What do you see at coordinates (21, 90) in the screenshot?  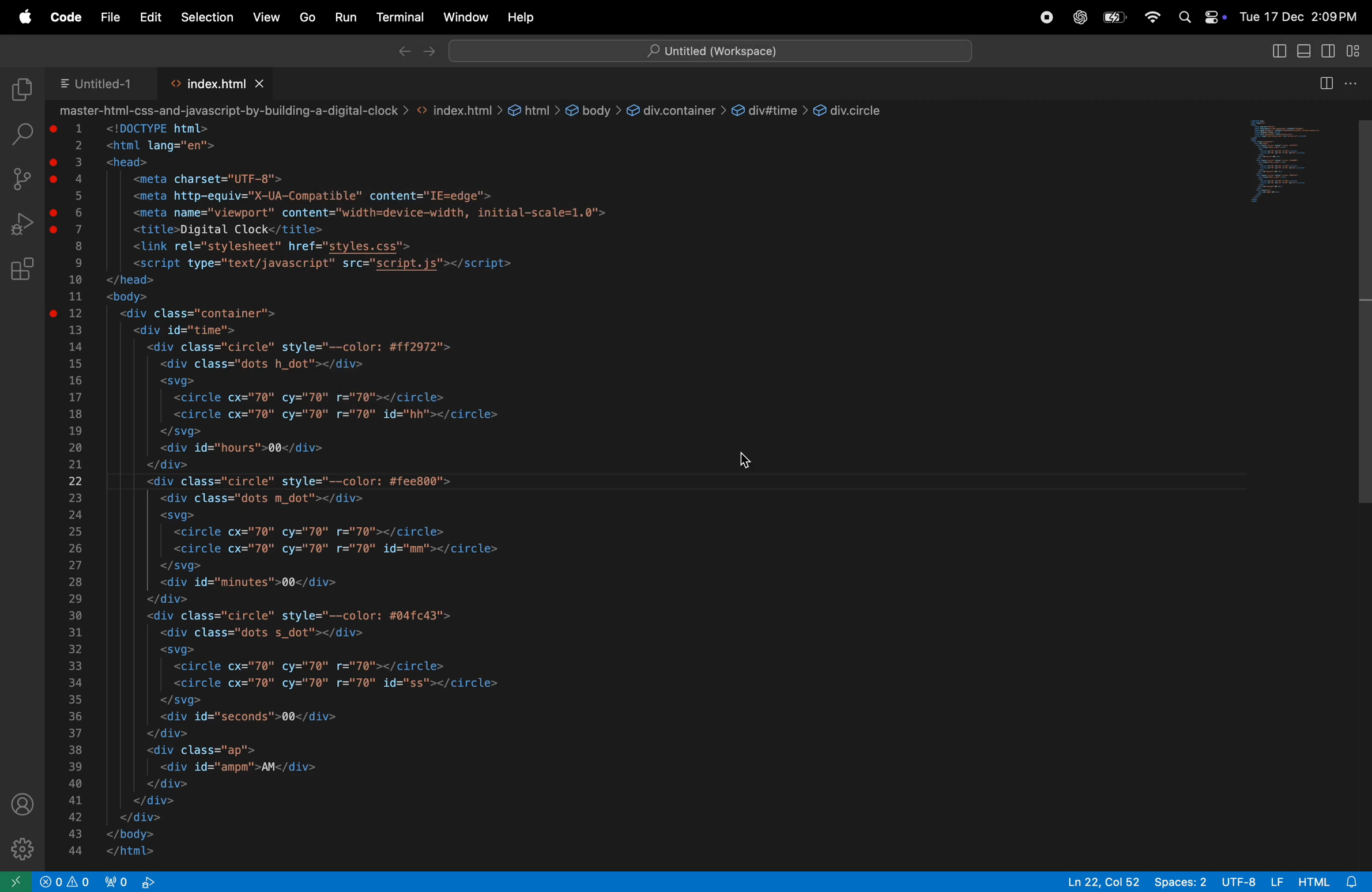 I see `explore` at bounding box center [21, 90].